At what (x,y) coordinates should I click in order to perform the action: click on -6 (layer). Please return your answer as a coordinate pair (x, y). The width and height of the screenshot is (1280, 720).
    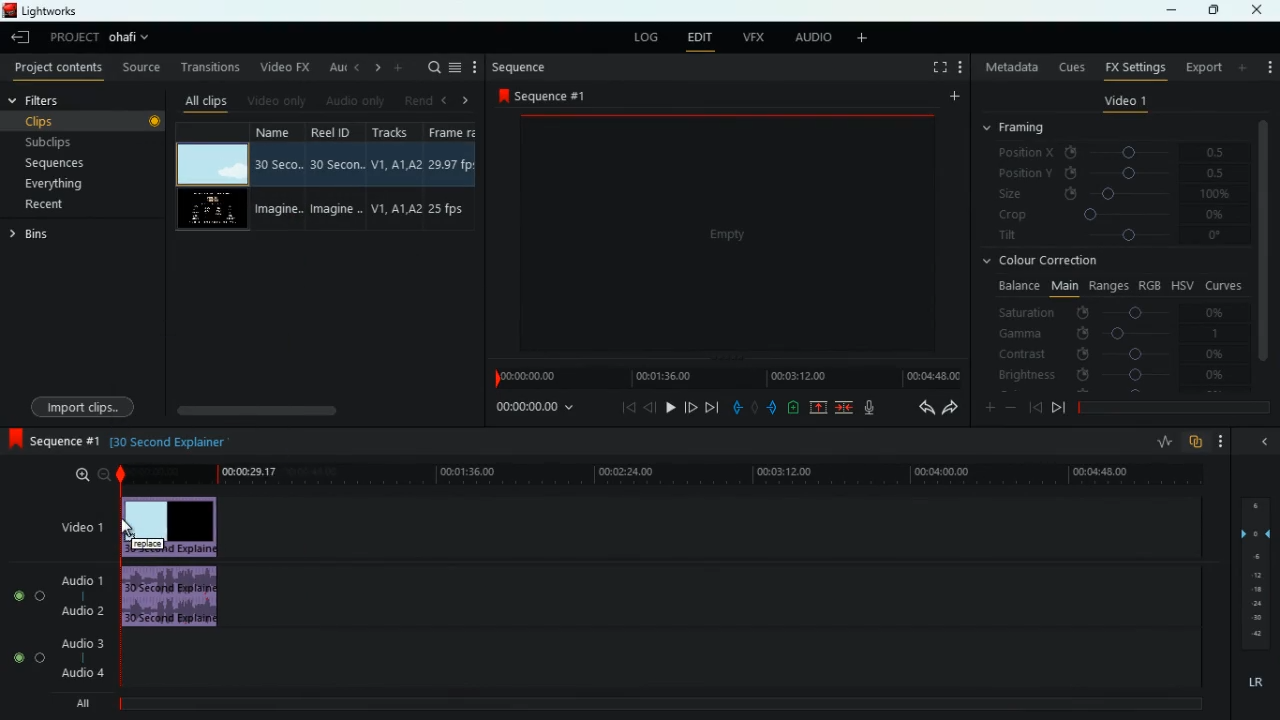
    Looking at the image, I should click on (1254, 556).